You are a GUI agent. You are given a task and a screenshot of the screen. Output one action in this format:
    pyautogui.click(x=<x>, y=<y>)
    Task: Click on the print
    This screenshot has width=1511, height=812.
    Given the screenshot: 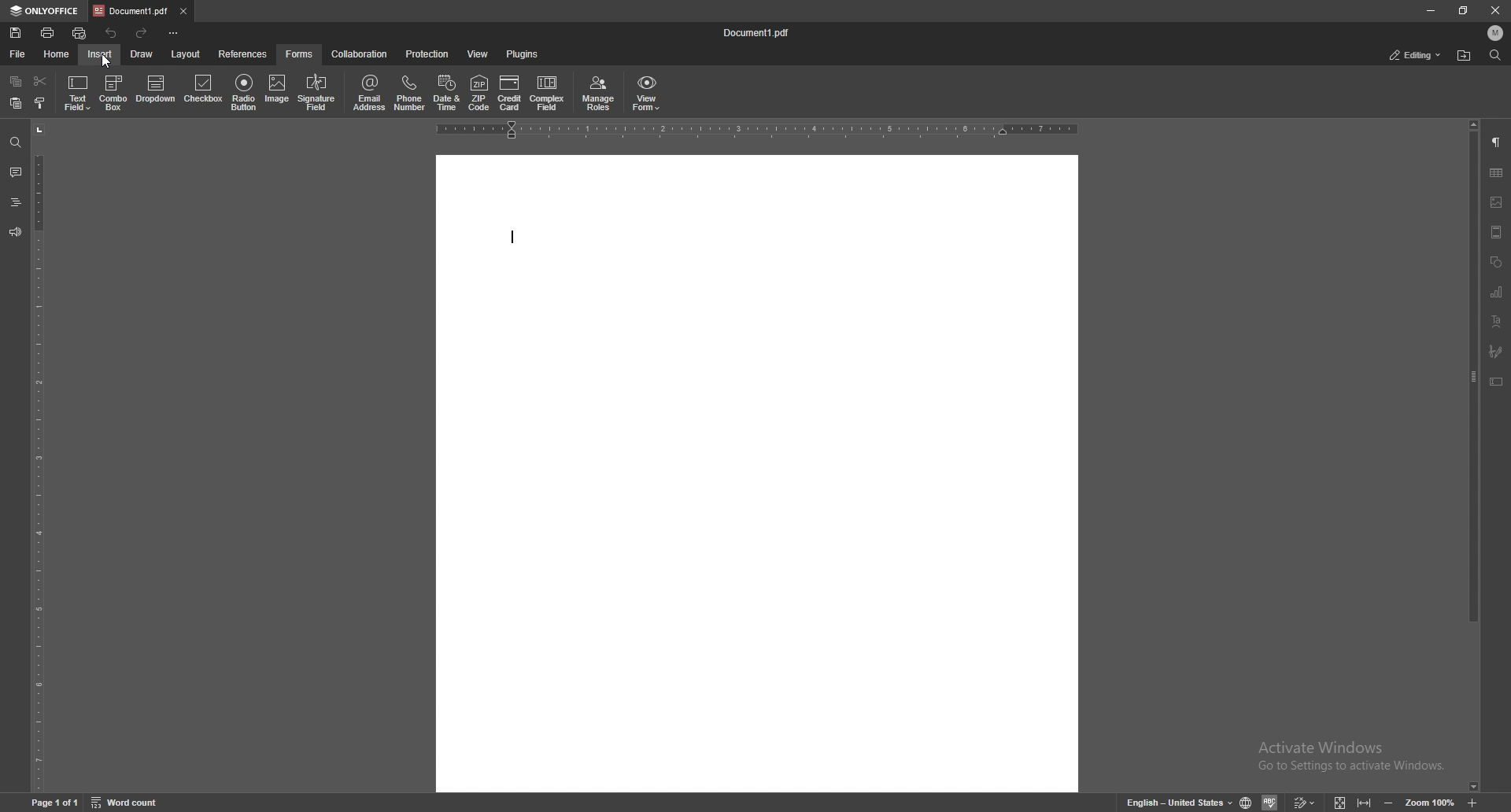 What is the action you would take?
    pyautogui.click(x=48, y=32)
    